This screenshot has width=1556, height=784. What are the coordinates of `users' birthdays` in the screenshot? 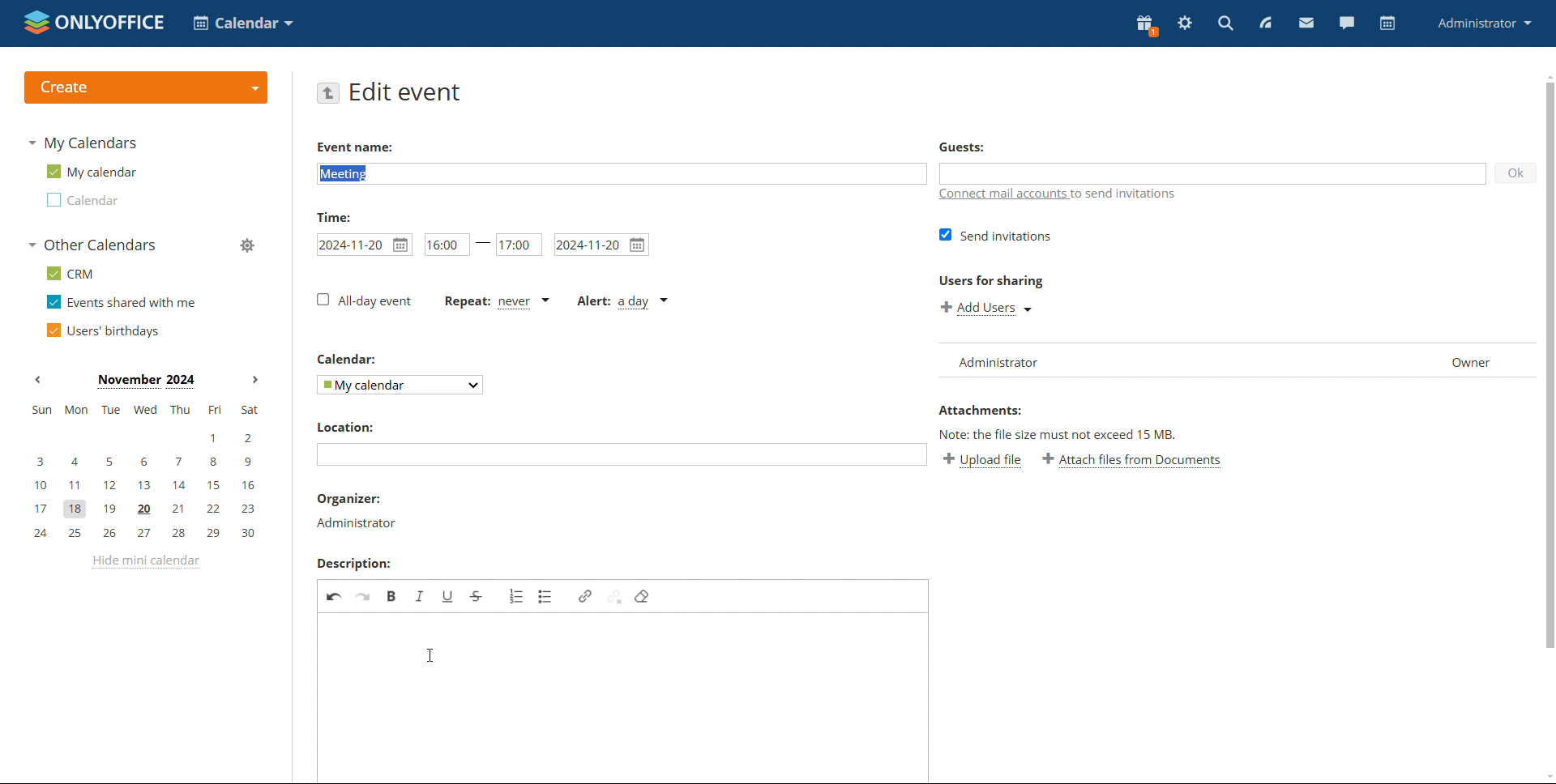 It's located at (103, 330).